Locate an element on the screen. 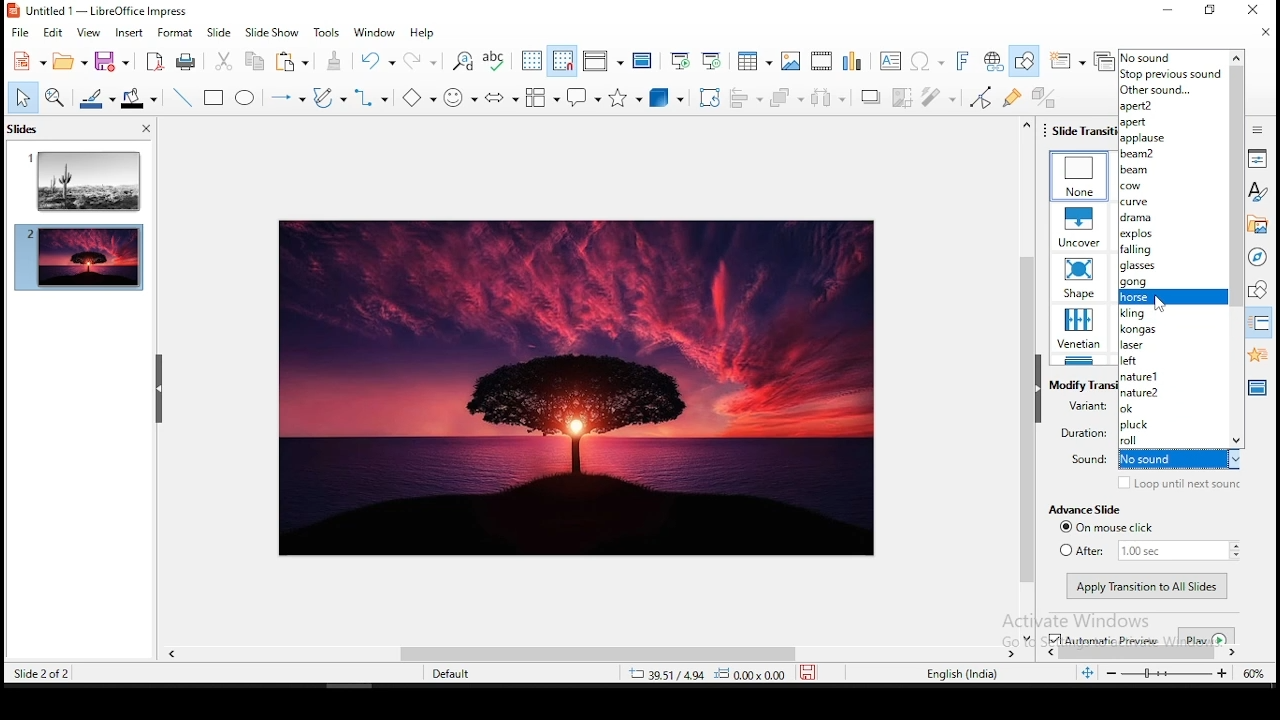  left is located at coordinates (1172, 362).